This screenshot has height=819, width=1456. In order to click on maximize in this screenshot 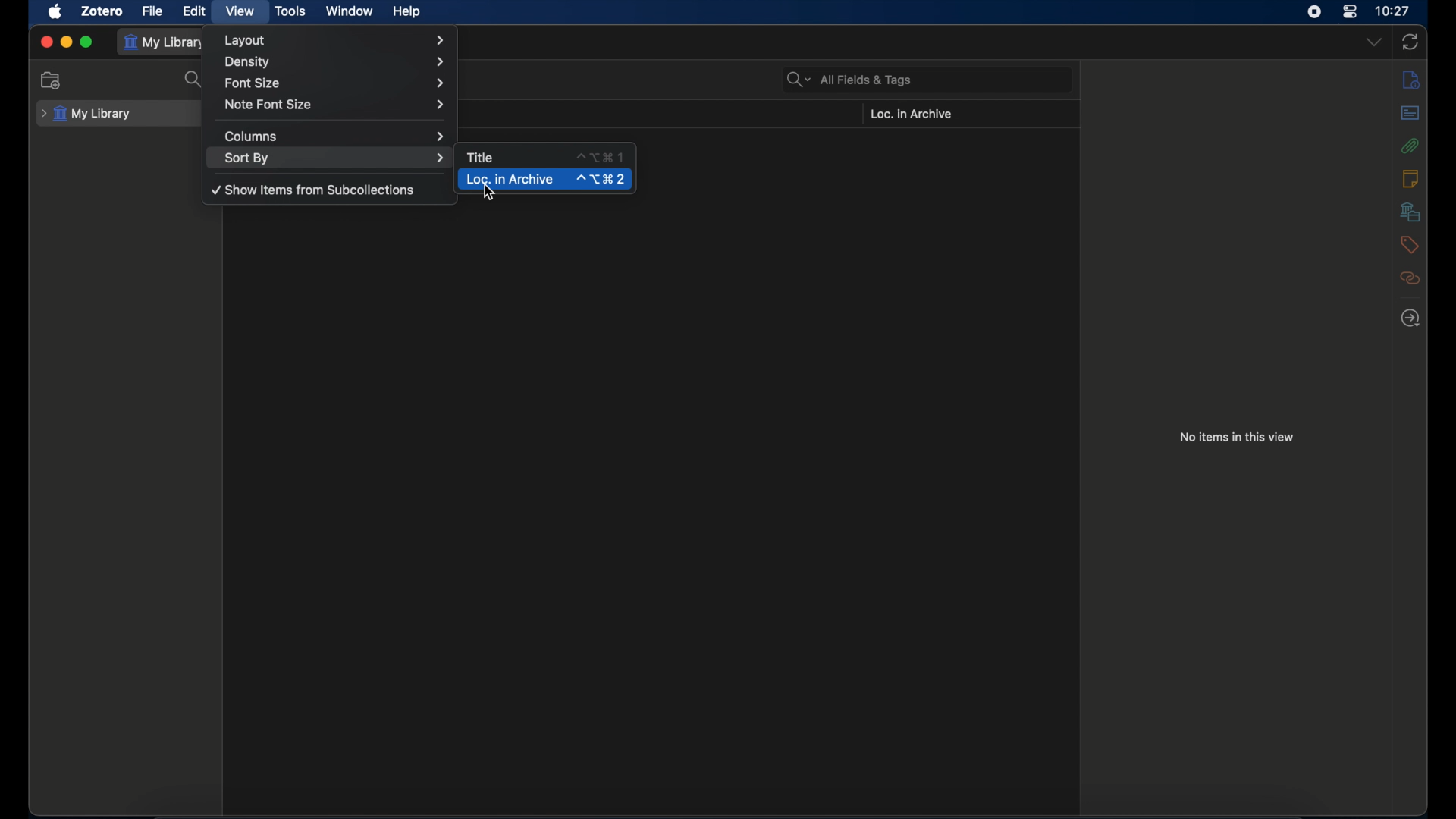, I will do `click(87, 42)`.